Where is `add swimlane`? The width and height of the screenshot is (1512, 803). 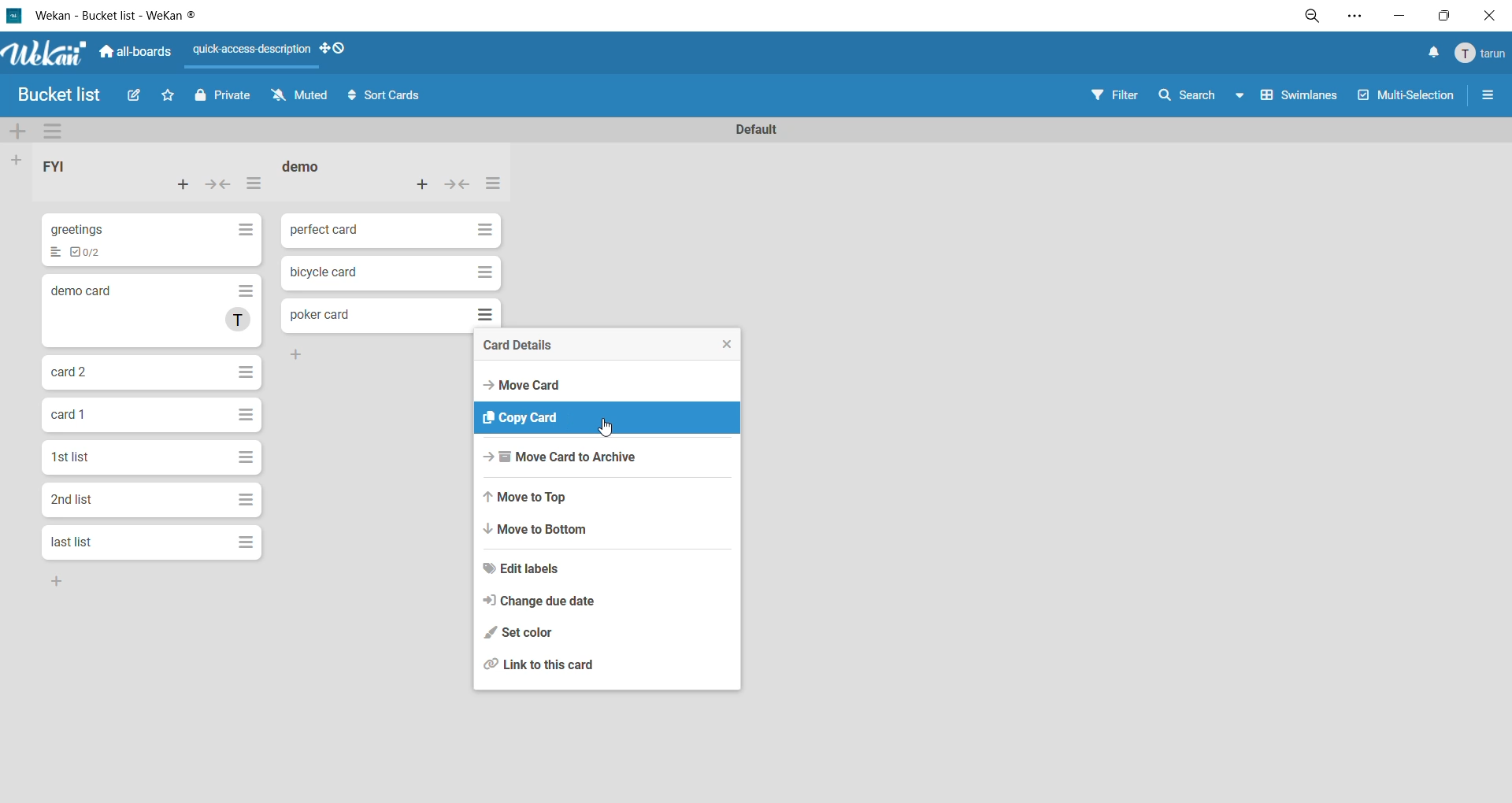 add swimlane is located at coordinates (20, 134).